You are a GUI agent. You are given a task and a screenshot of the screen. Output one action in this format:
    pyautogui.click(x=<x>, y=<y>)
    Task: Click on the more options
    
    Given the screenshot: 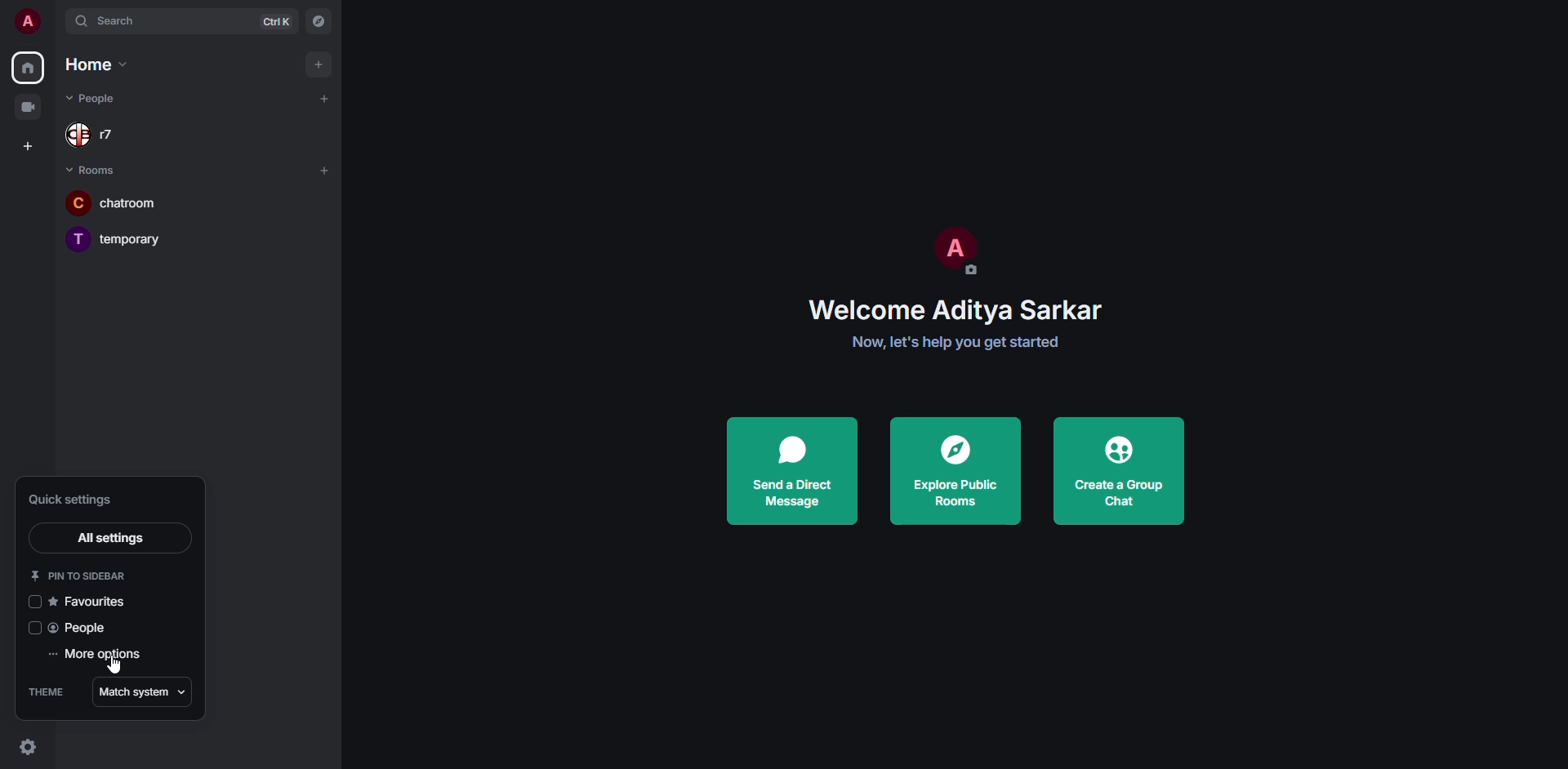 What is the action you would take?
    pyautogui.click(x=98, y=656)
    